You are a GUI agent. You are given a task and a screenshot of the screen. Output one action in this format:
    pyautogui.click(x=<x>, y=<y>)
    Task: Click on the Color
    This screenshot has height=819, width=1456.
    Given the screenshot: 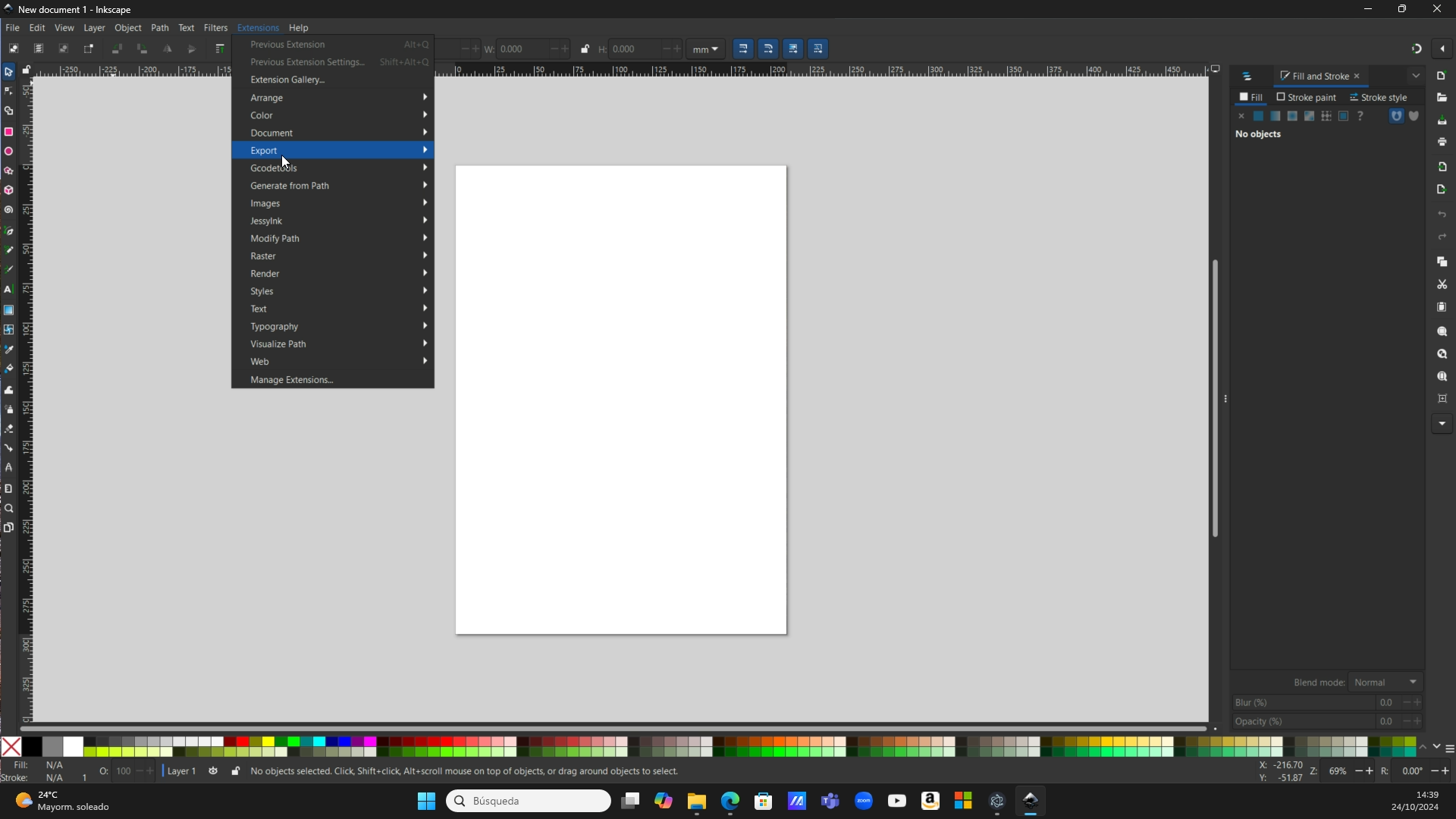 What is the action you would take?
    pyautogui.click(x=340, y=115)
    